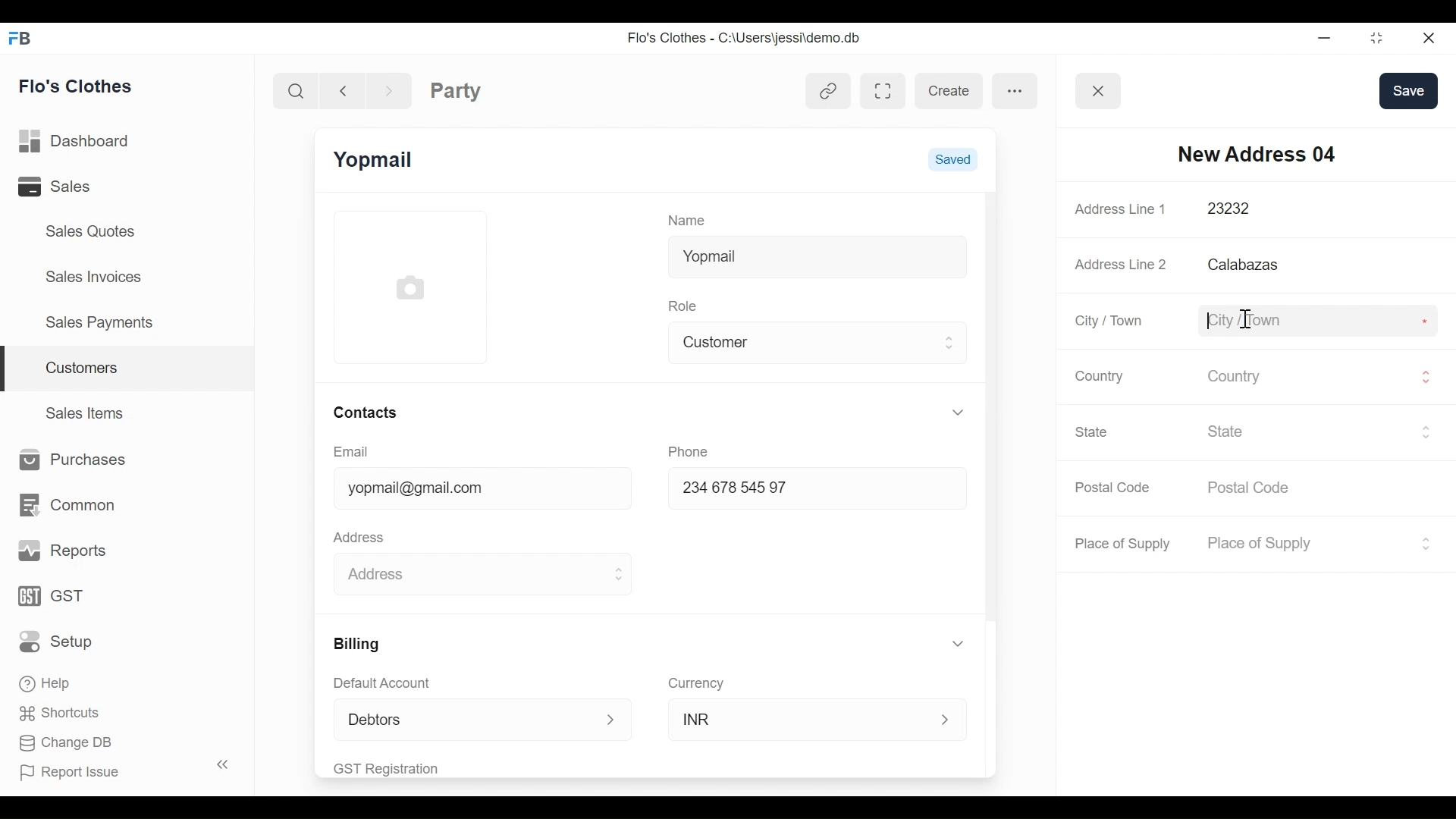  What do you see at coordinates (817, 254) in the screenshot?
I see `Yopmail` at bounding box center [817, 254].